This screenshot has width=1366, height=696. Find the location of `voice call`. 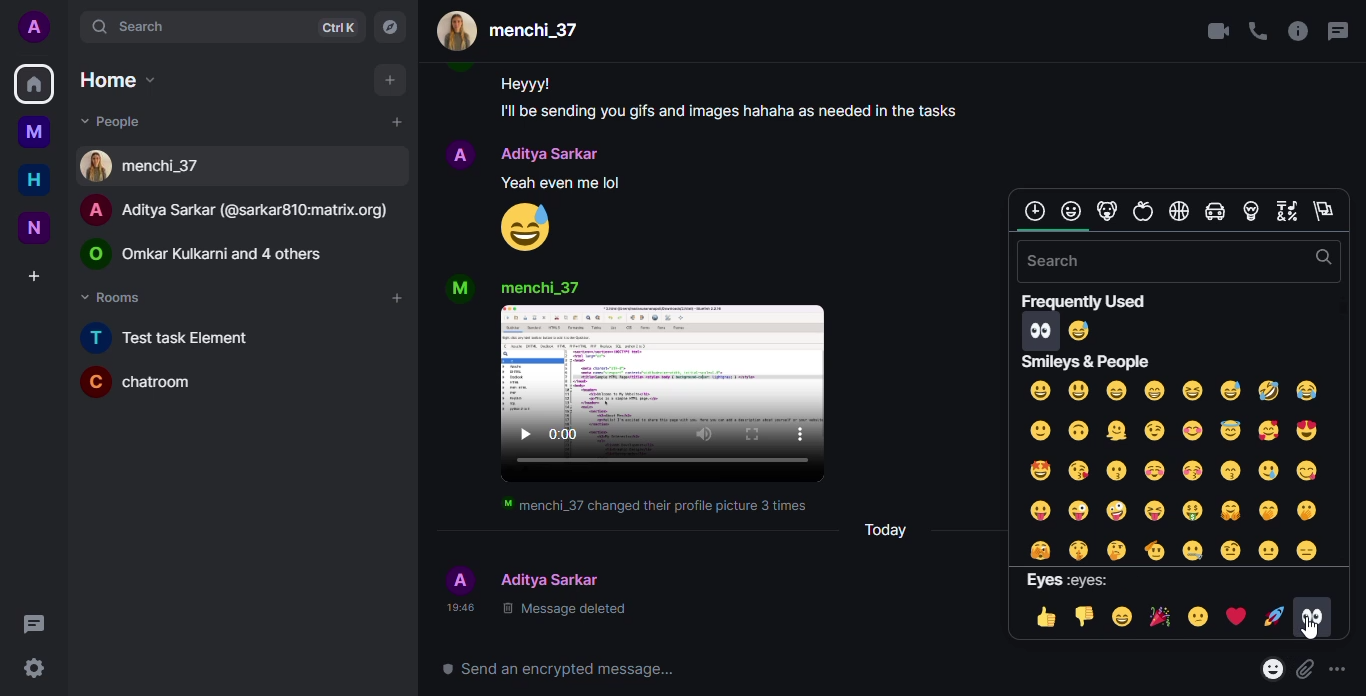

voice call is located at coordinates (1257, 31).